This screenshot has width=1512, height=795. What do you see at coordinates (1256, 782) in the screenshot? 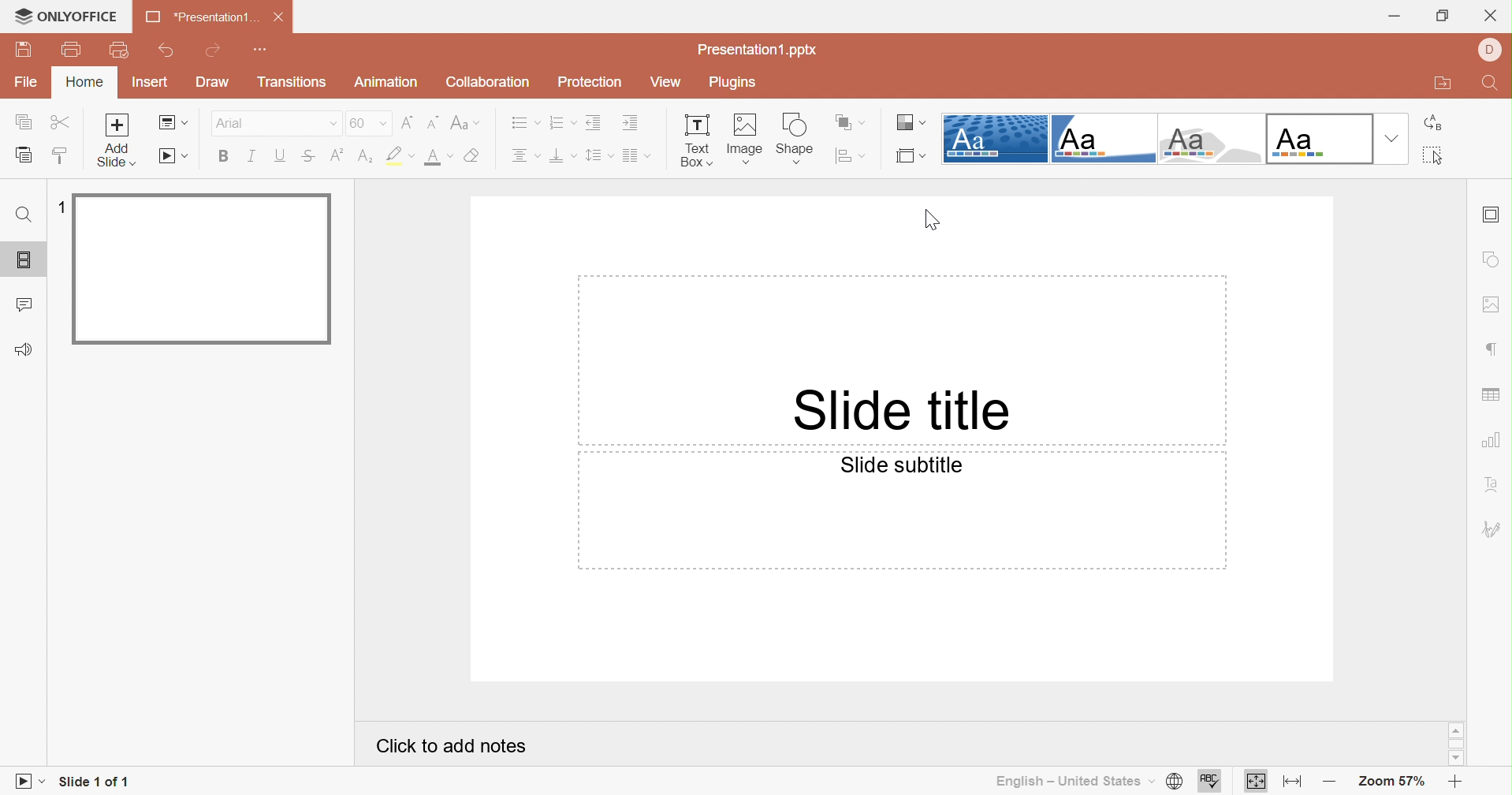
I see `Fit to slide` at bounding box center [1256, 782].